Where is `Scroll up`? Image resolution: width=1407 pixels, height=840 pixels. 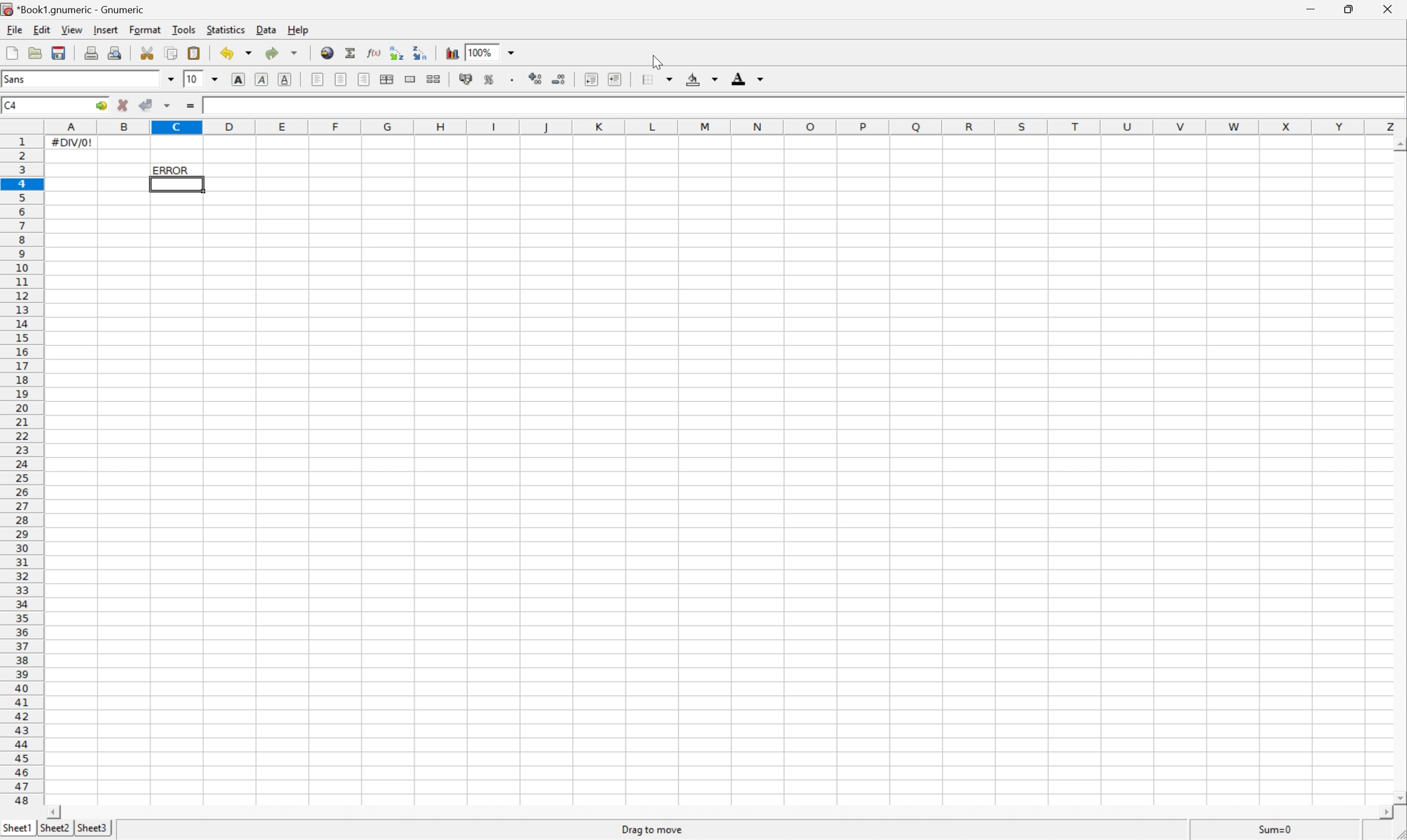 Scroll up is located at coordinates (1398, 144).